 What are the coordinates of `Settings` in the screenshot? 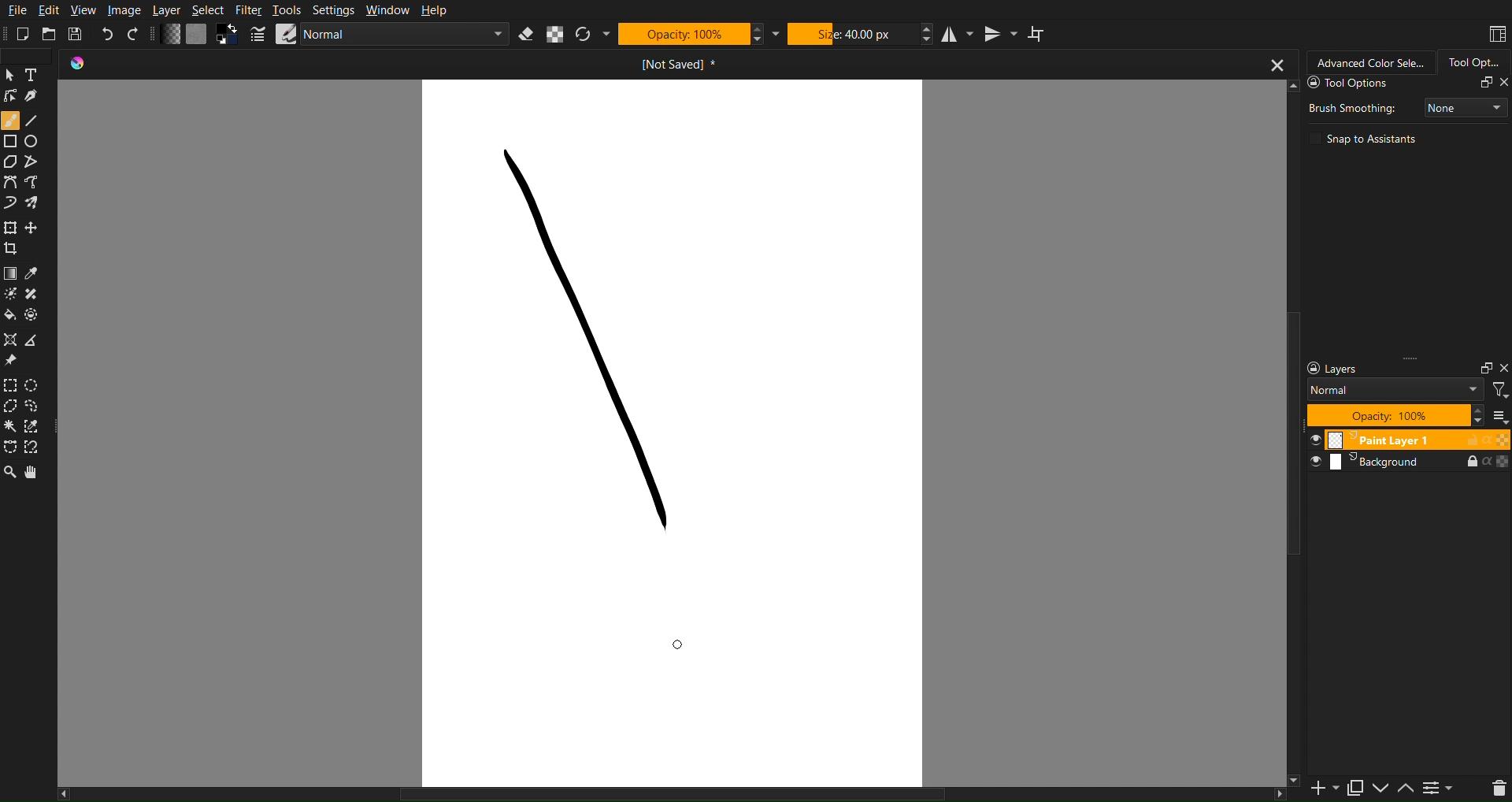 It's located at (1442, 789).